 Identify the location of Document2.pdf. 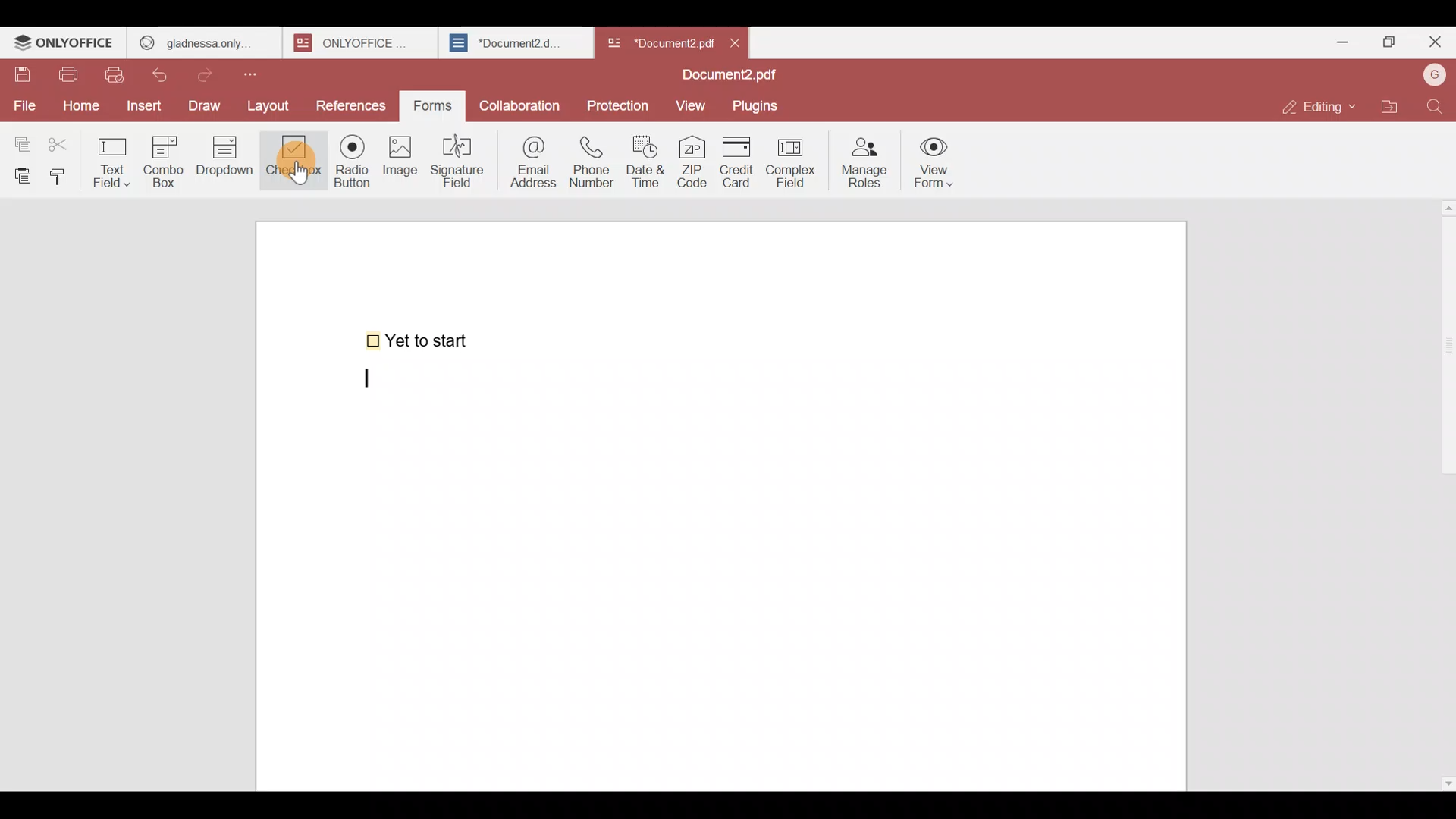
(725, 77).